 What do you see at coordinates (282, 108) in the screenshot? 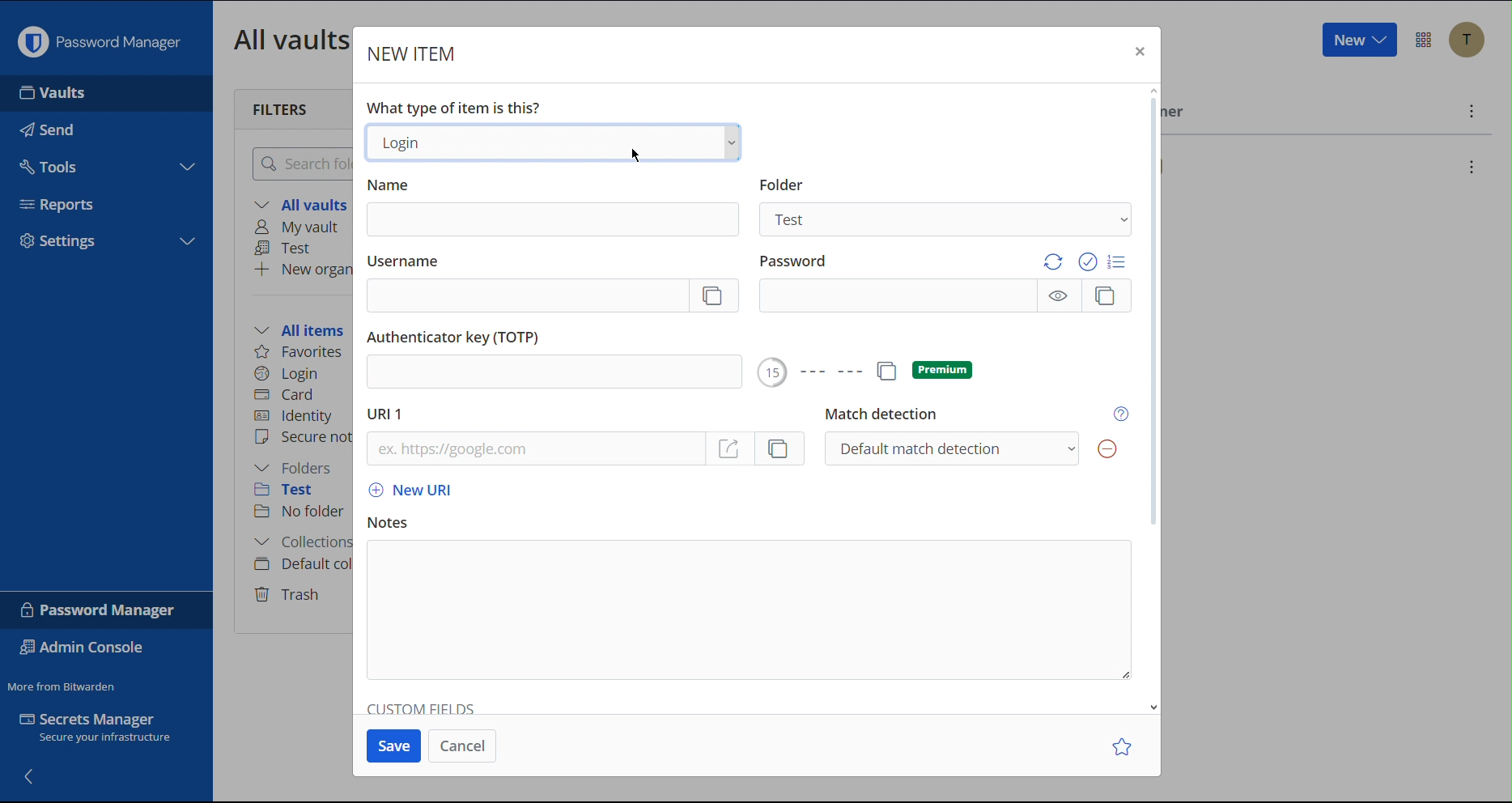
I see `Filters` at bounding box center [282, 108].